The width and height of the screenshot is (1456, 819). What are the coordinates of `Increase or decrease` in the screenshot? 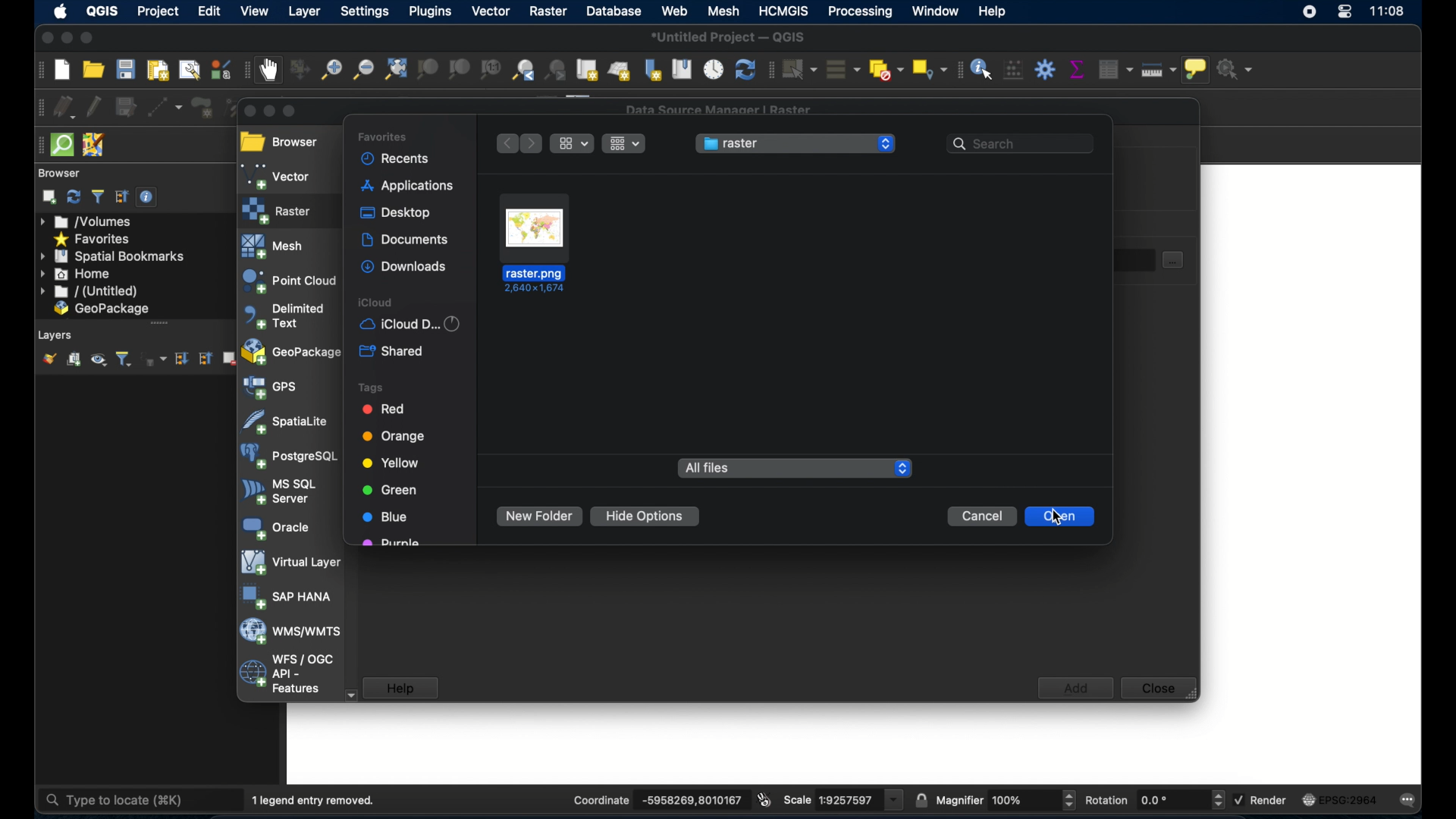 It's located at (1217, 800).